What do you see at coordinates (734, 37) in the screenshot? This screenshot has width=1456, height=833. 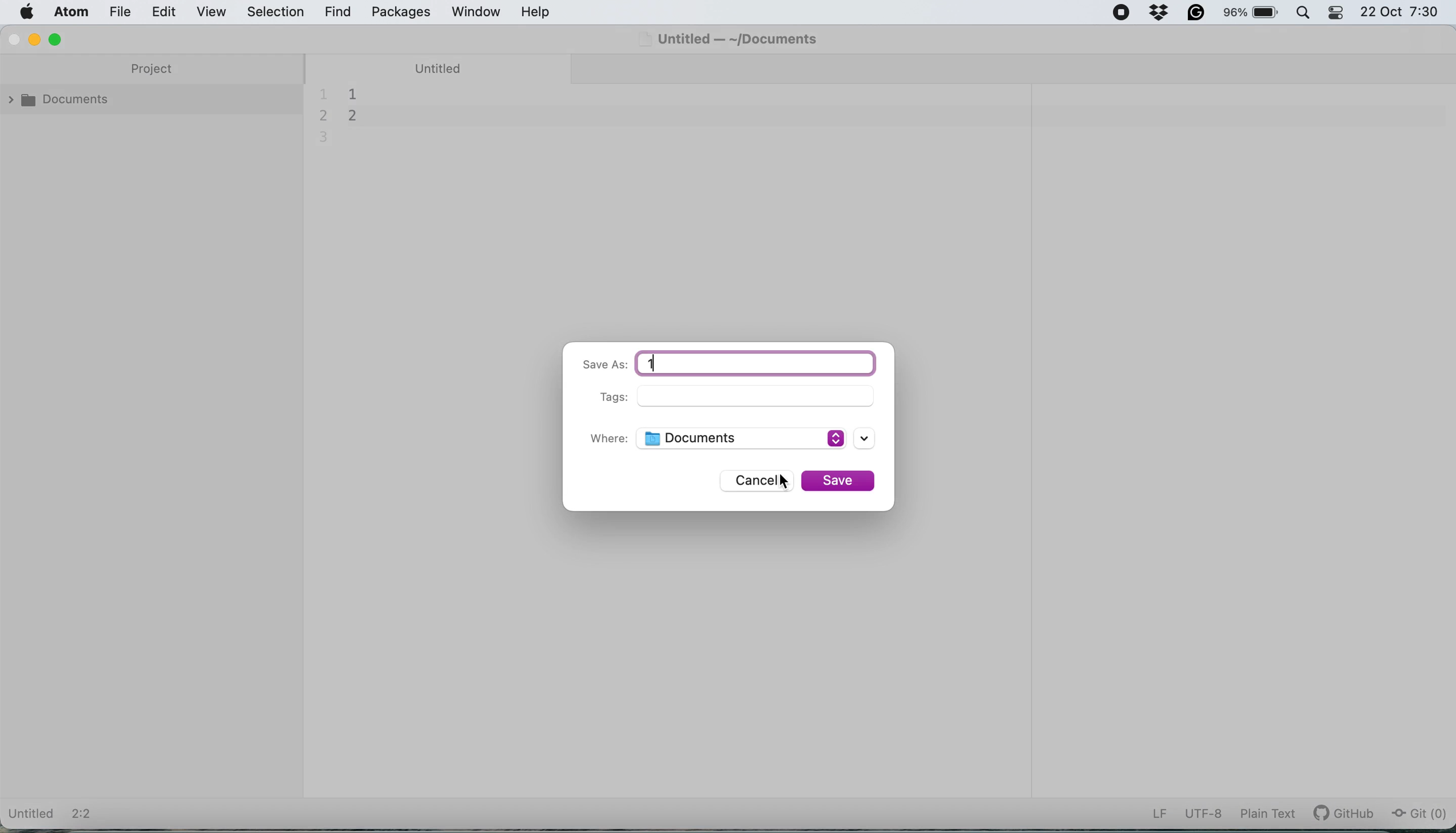 I see `Untitled — ~/Documents` at bounding box center [734, 37].